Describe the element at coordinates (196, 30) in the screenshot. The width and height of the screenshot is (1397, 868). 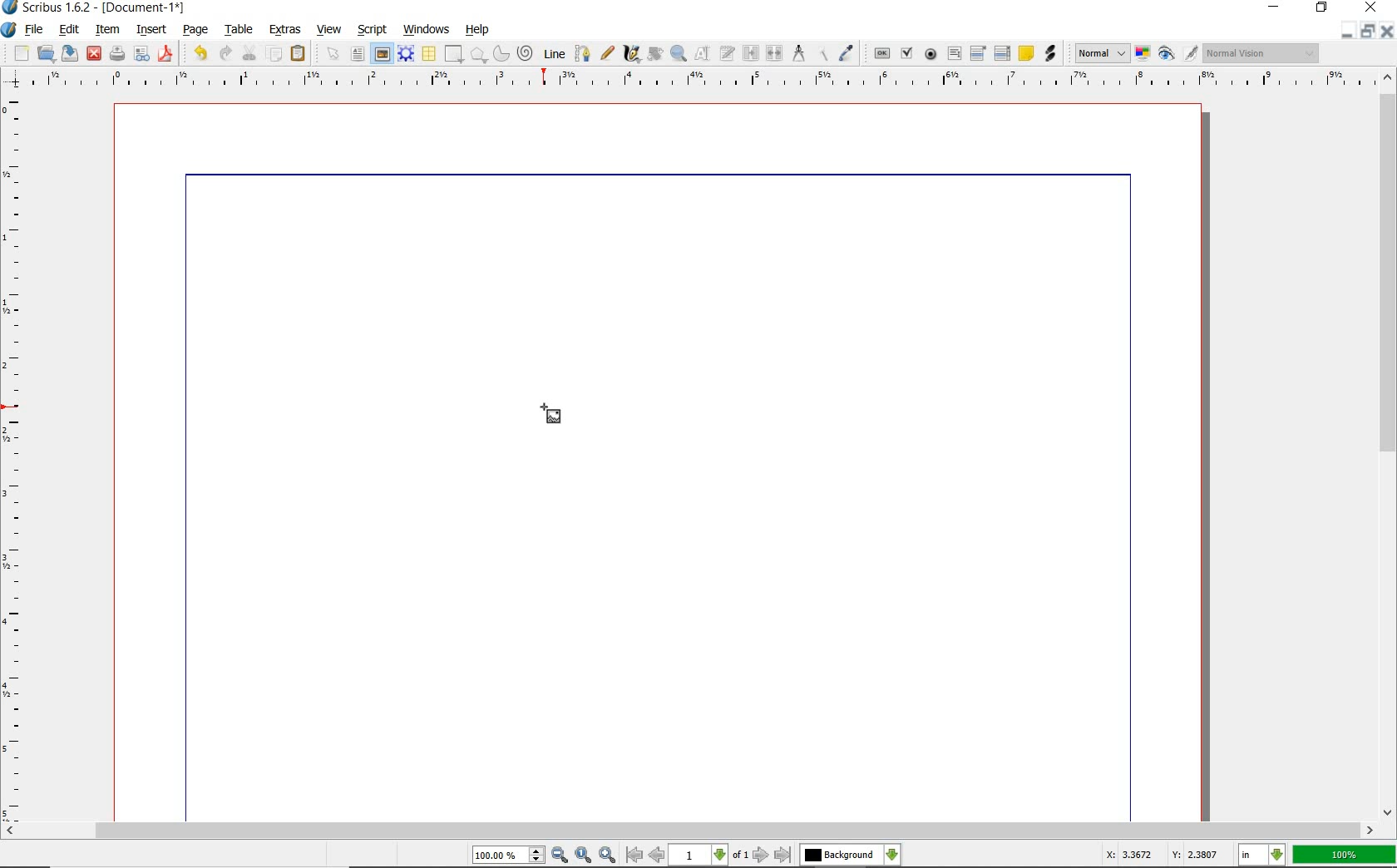
I see `page` at that location.